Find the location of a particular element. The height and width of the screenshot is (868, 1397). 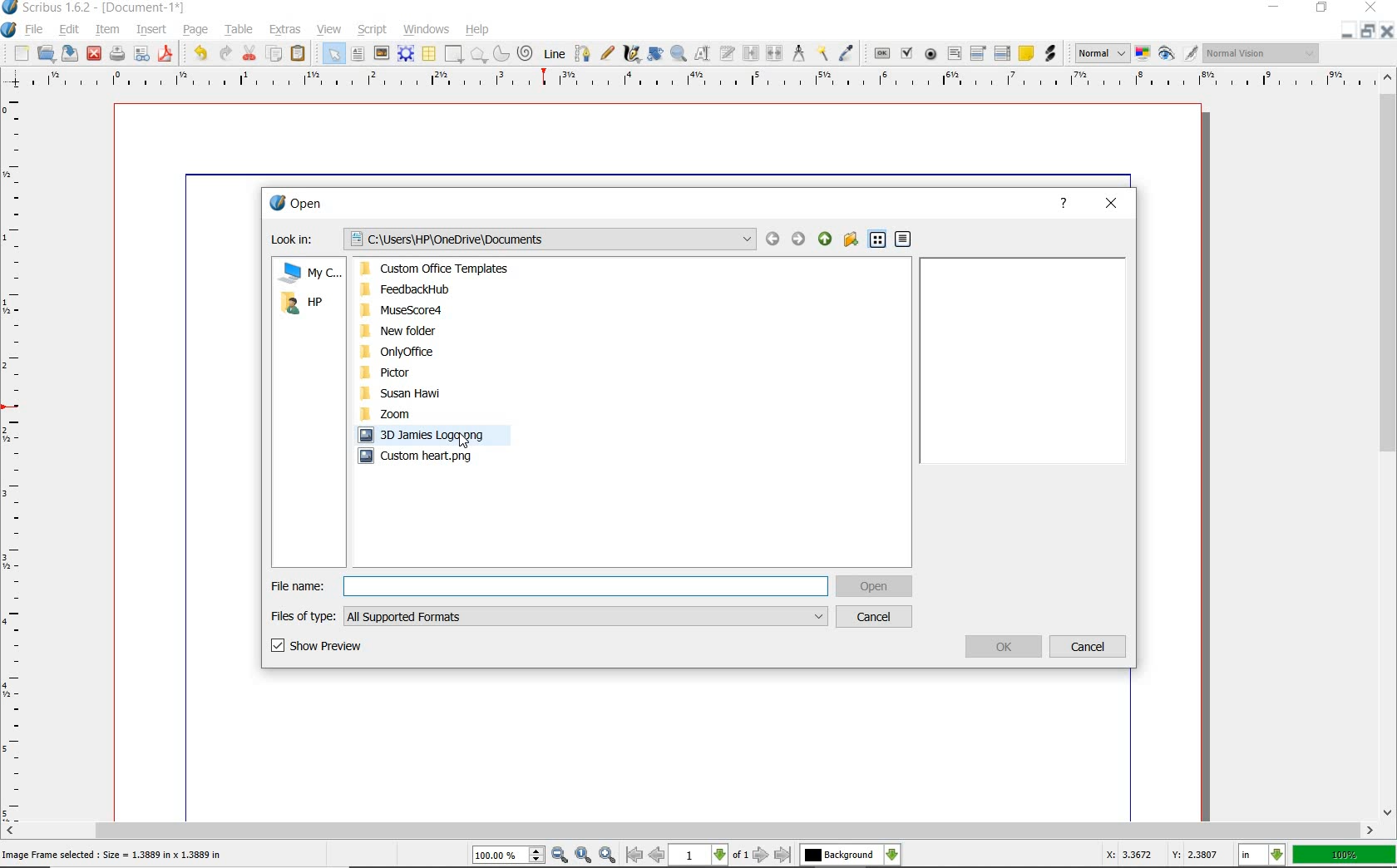

file is located at coordinates (38, 28).